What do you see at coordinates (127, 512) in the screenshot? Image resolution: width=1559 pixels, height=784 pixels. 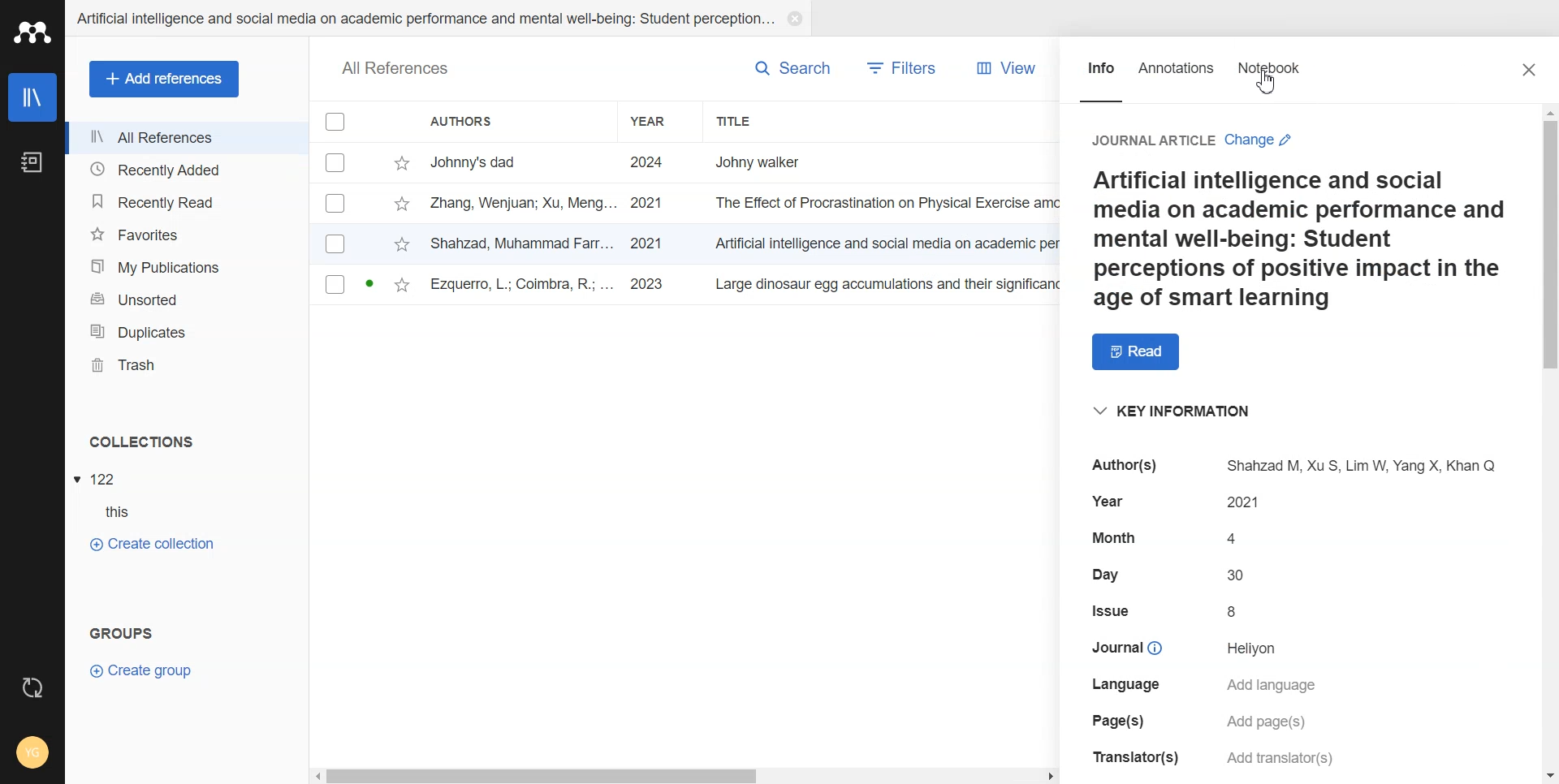 I see `this` at bounding box center [127, 512].